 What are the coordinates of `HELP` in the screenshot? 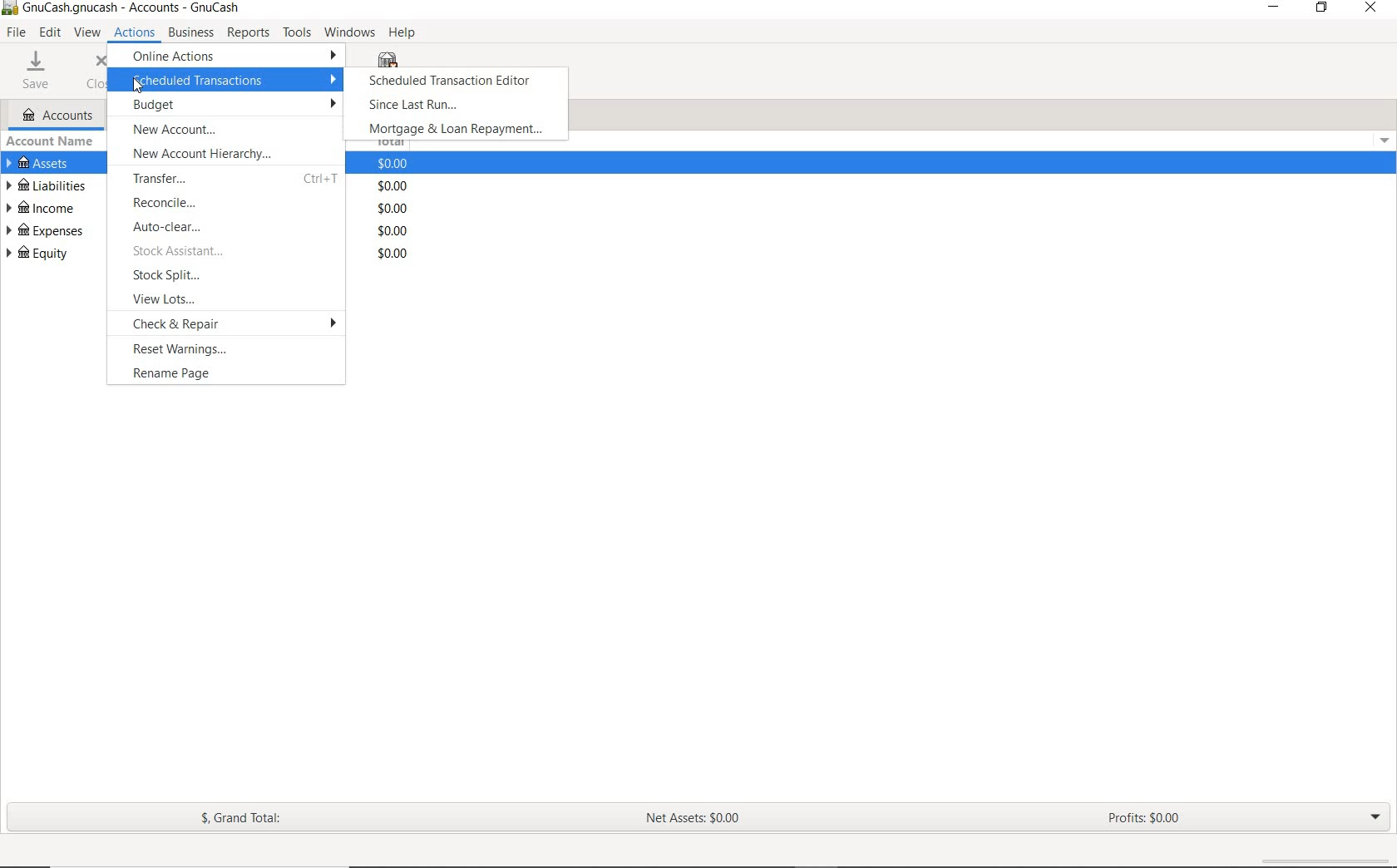 It's located at (402, 32).